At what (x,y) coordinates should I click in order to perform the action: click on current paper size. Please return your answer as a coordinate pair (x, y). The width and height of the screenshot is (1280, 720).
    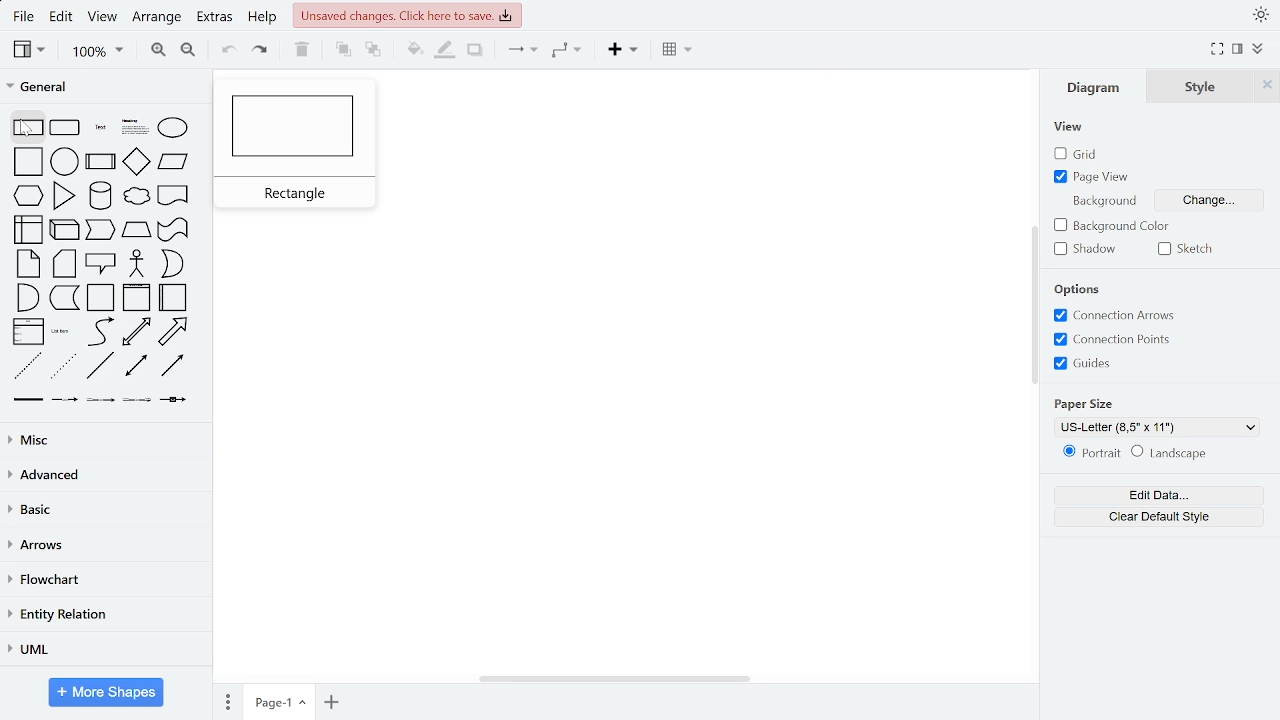
    Looking at the image, I should click on (1162, 426).